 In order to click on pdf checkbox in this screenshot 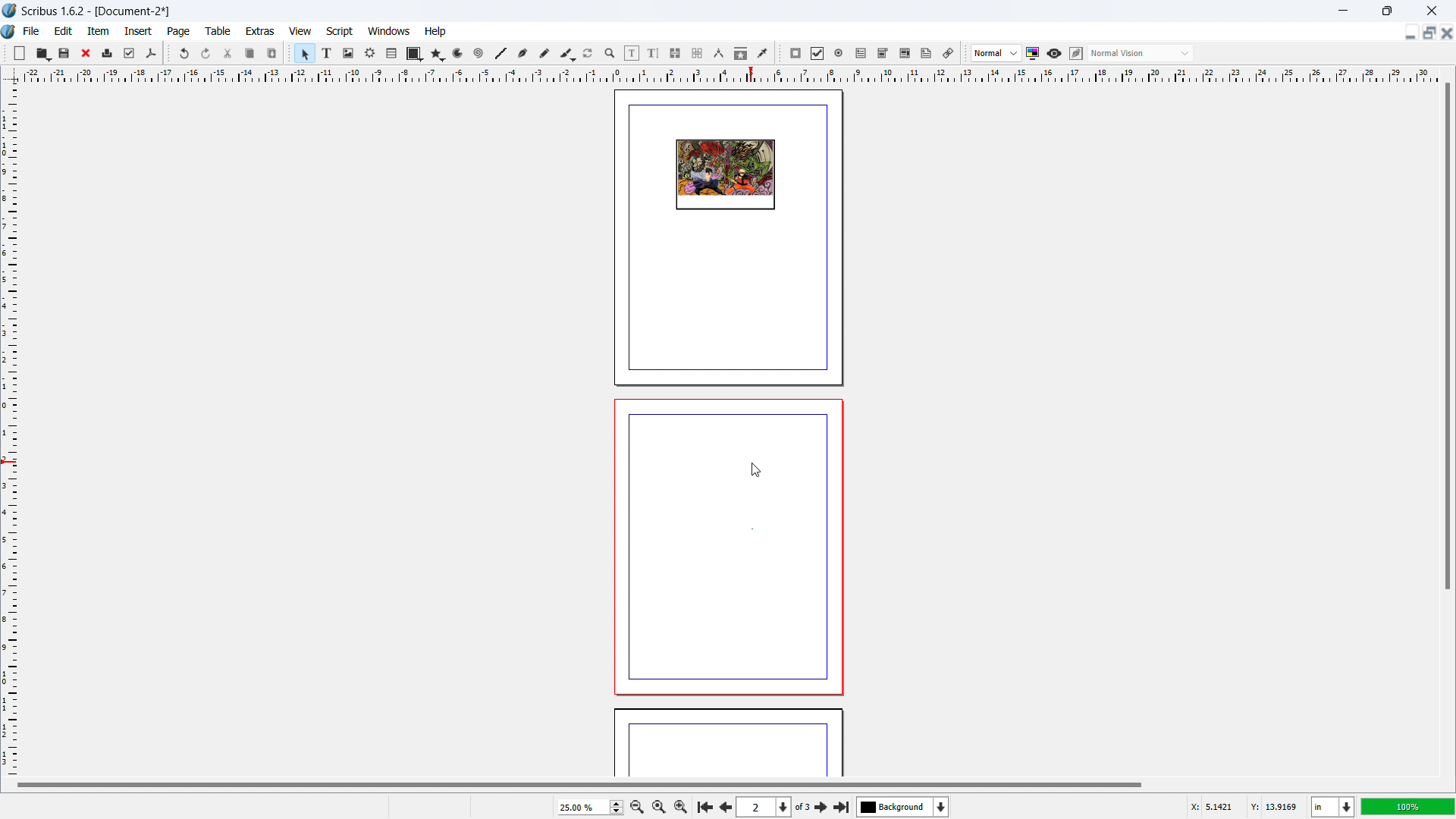, I will do `click(817, 53)`.